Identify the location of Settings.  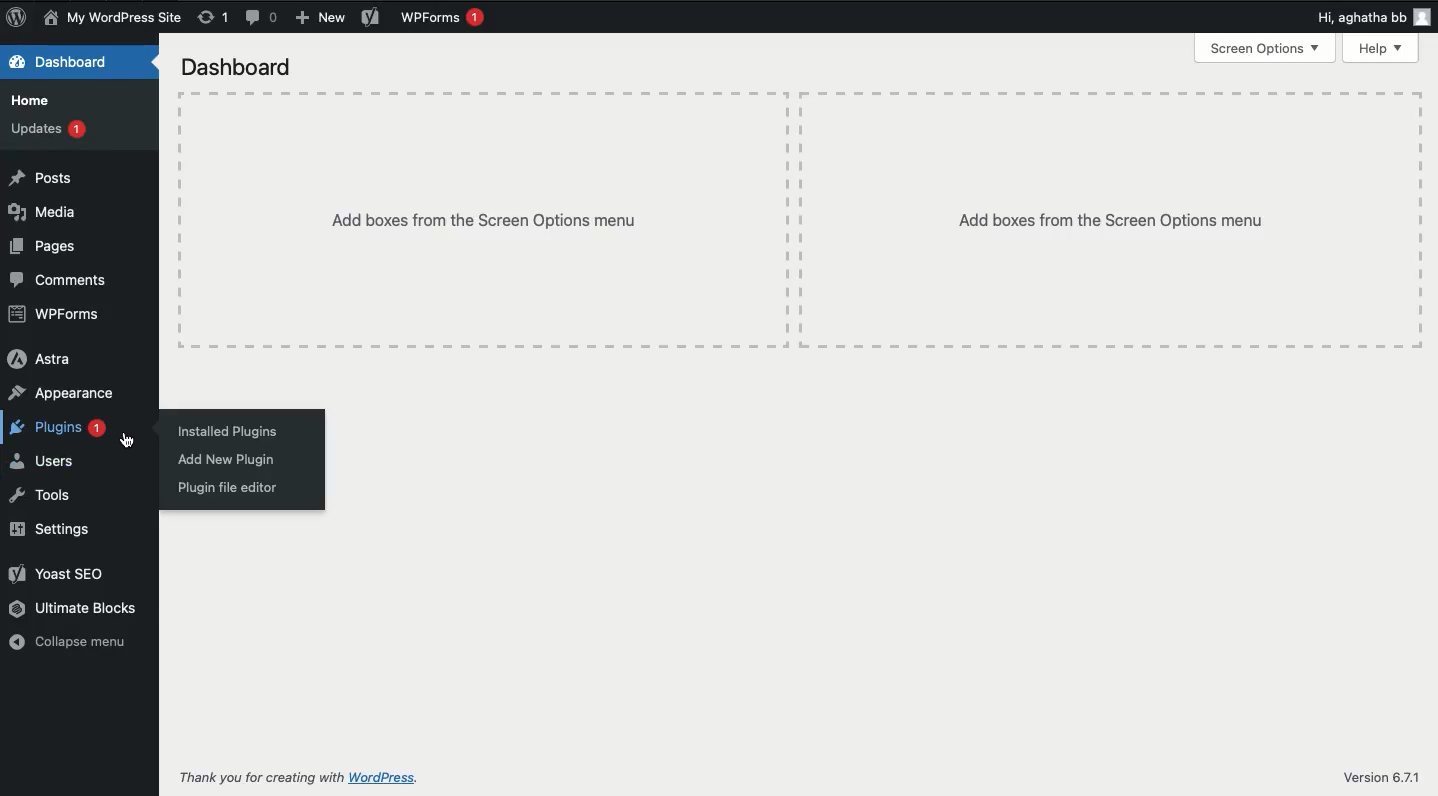
(57, 531).